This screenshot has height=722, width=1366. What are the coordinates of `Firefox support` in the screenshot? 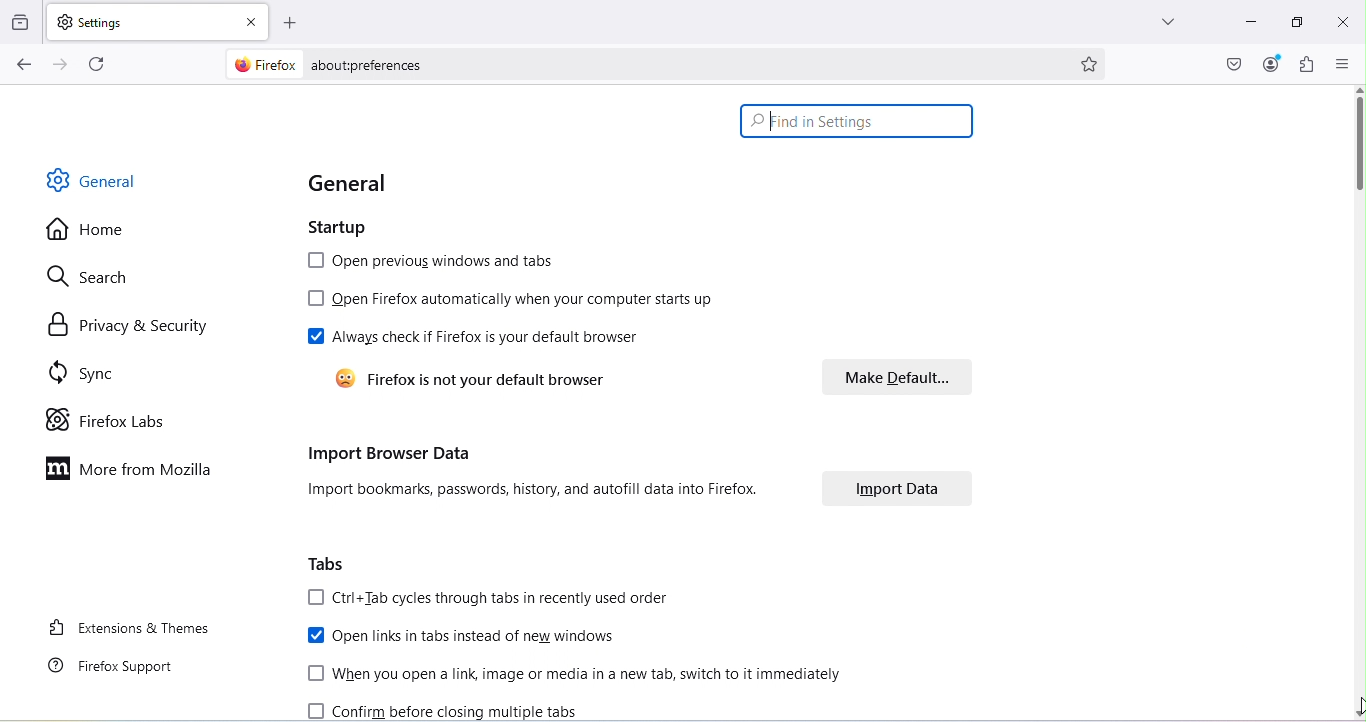 It's located at (120, 672).